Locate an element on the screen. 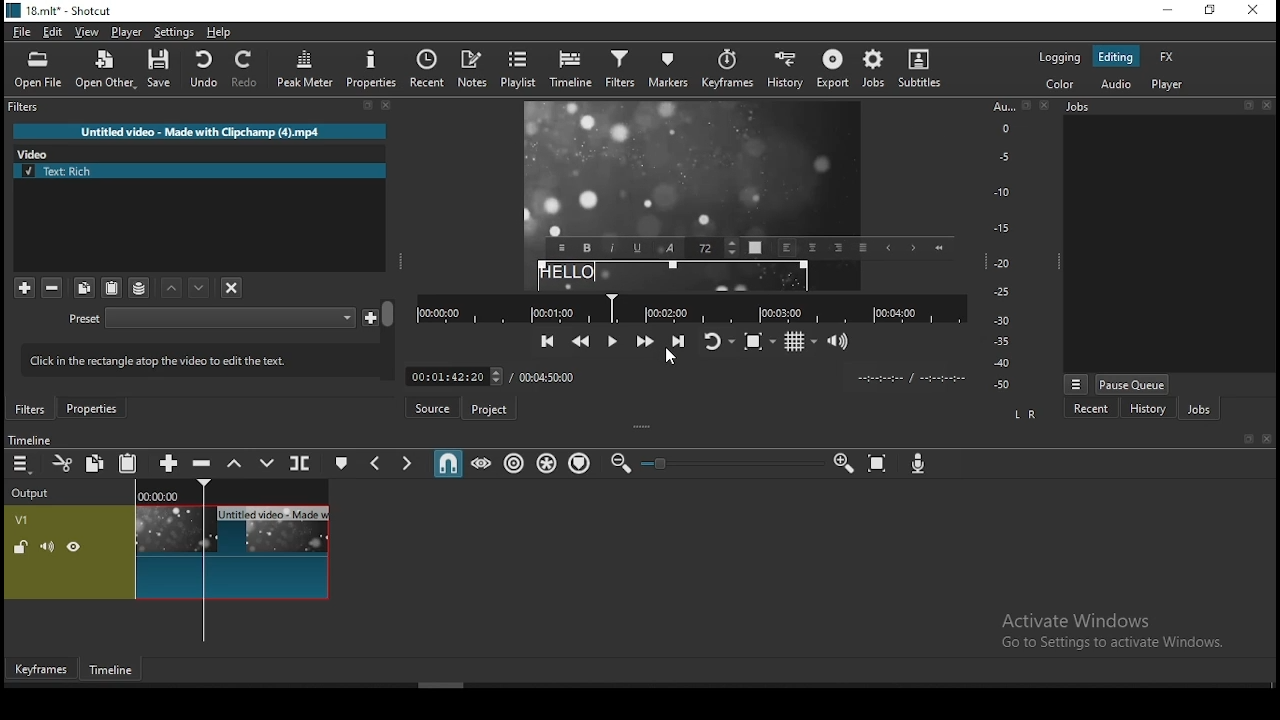 The height and width of the screenshot is (720, 1280). source is located at coordinates (431, 407).